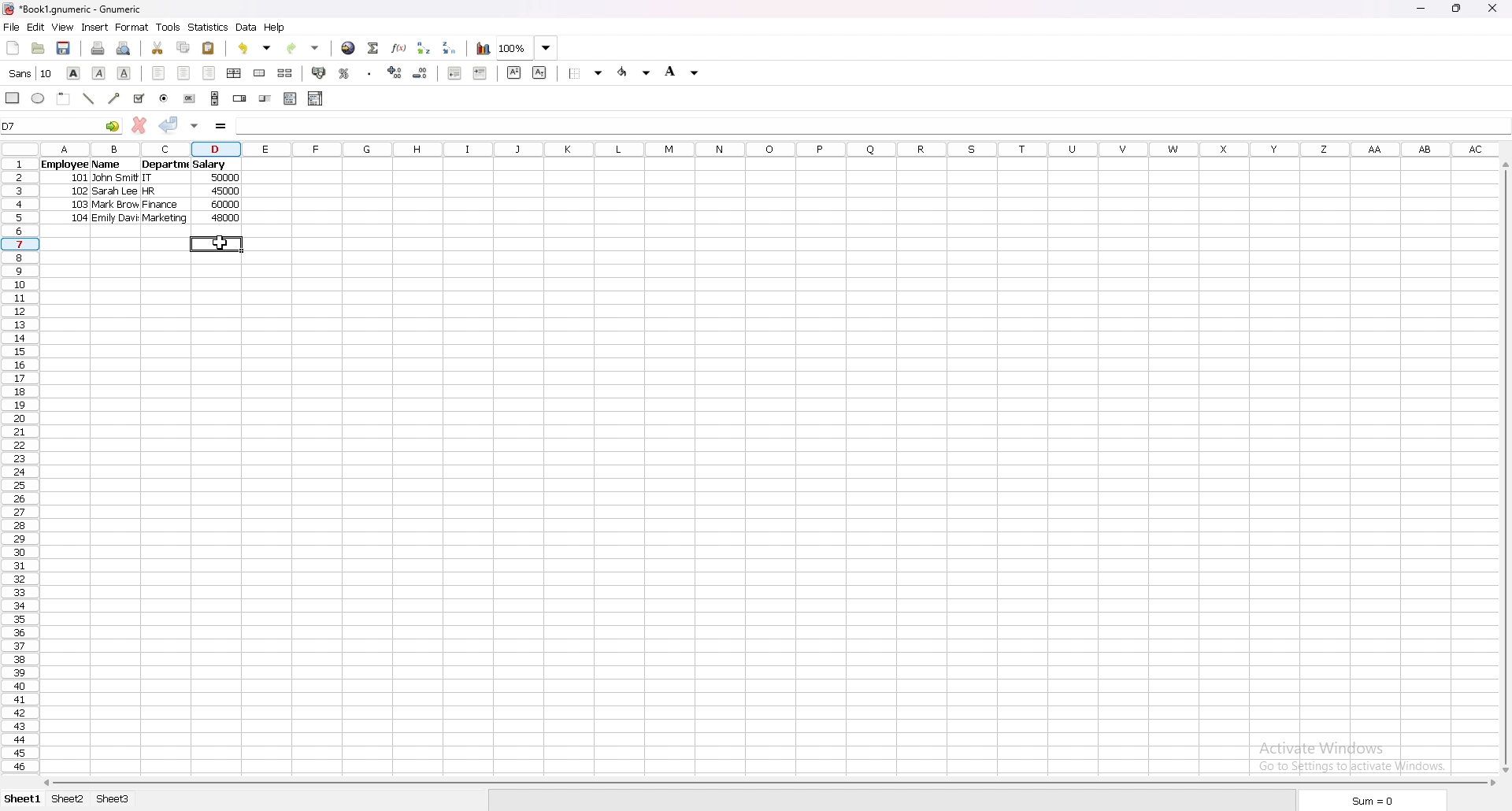  Describe the element at coordinates (421, 73) in the screenshot. I see `decrease decimal` at that location.